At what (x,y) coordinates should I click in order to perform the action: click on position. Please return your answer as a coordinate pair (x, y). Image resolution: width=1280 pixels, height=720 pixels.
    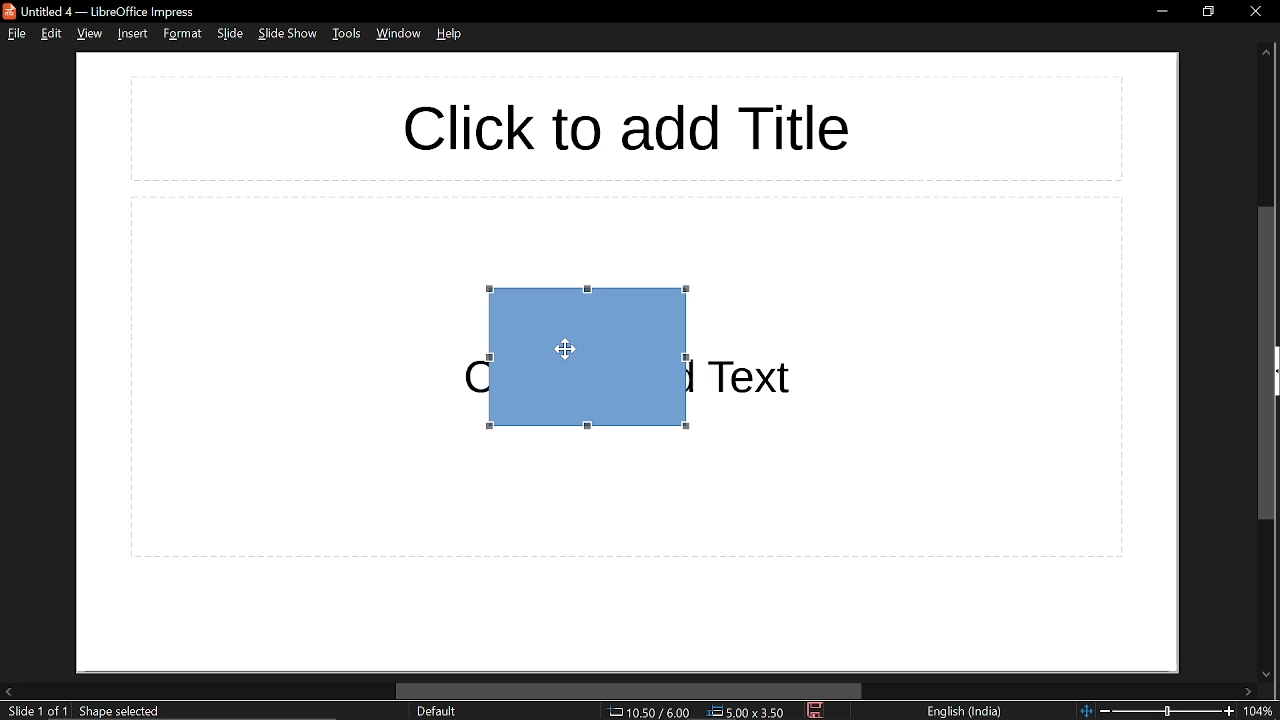
    Looking at the image, I should click on (747, 712).